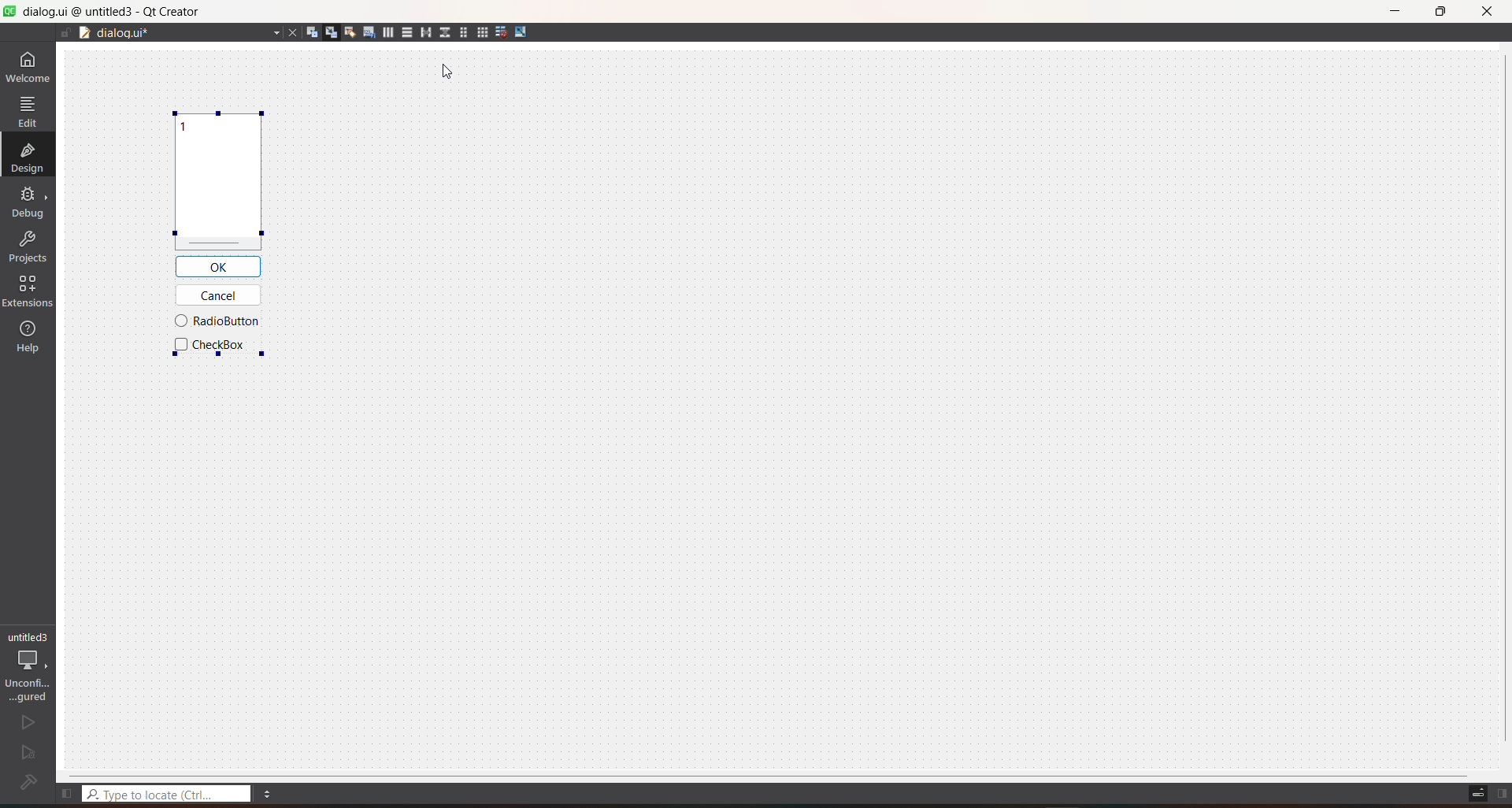 This screenshot has height=808, width=1512. What do you see at coordinates (1394, 13) in the screenshot?
I see `minimize` at bounding box center [1394, 13].